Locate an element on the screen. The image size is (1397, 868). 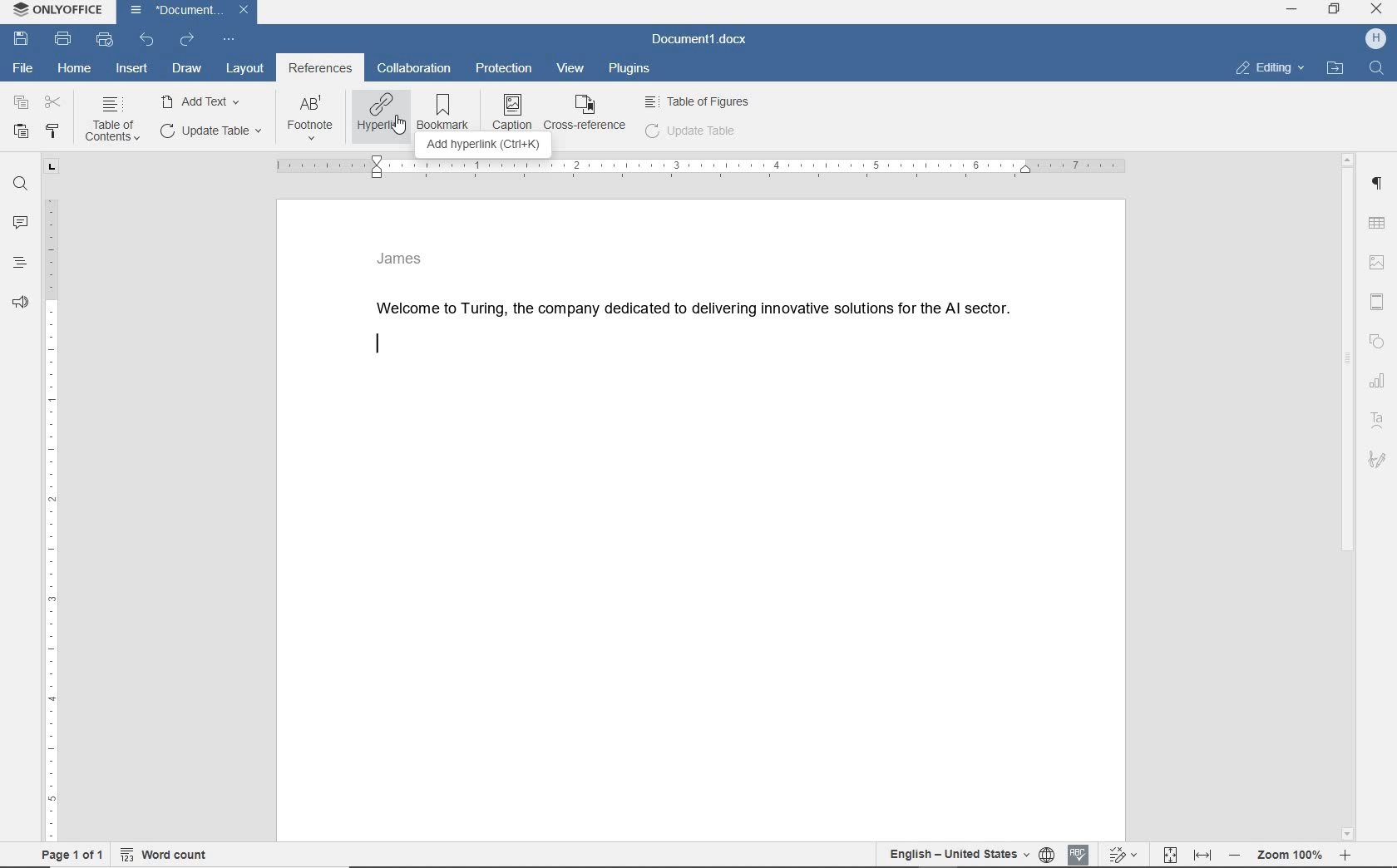
wordcount is located at coordinates (168, 855).